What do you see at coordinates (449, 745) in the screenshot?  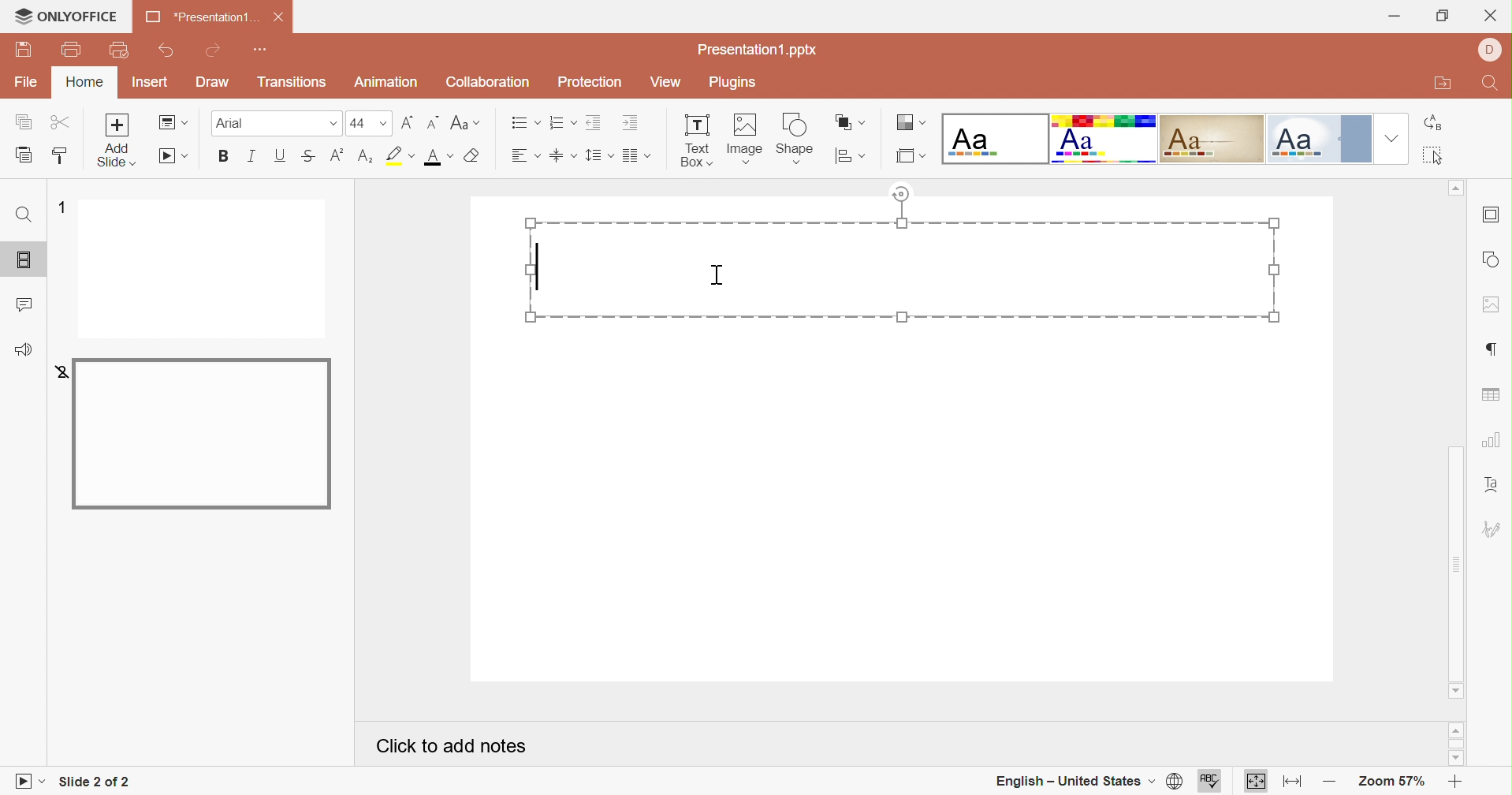 I see `Click to add notes` at bounding box center [449, 745].